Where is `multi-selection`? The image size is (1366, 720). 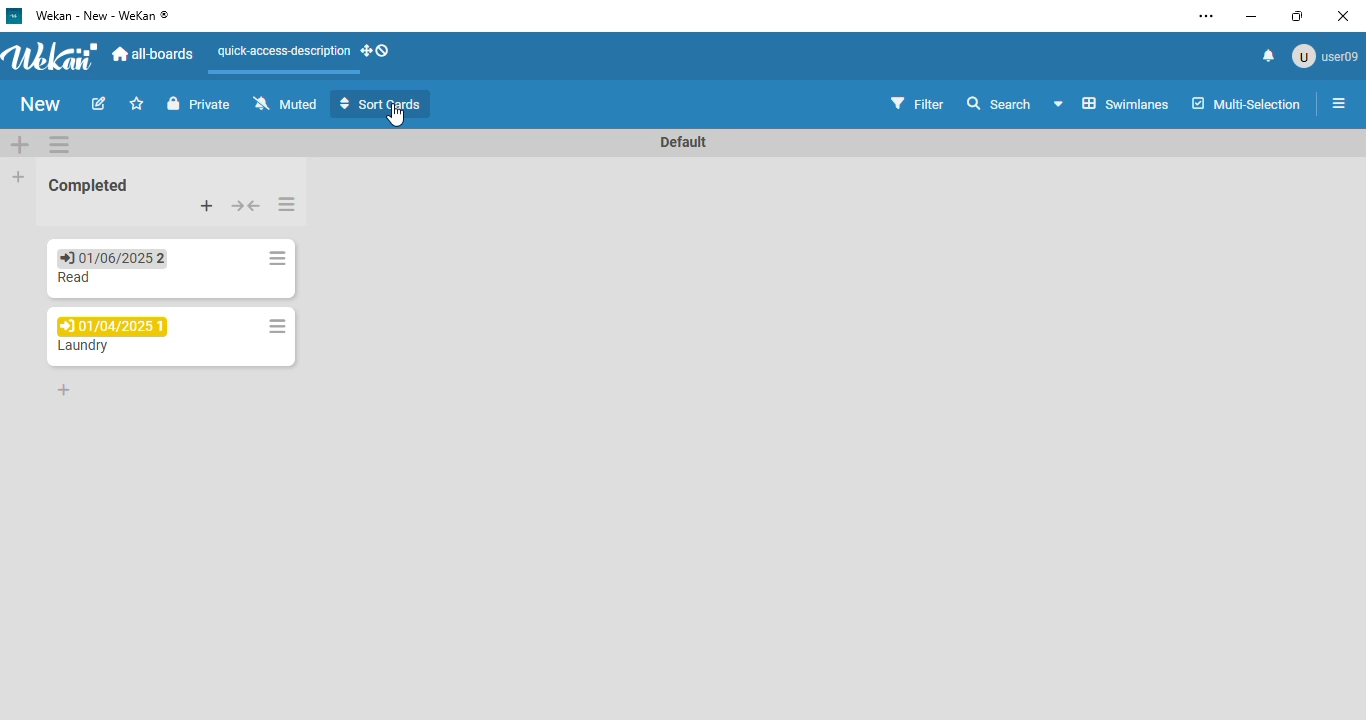
multi-selection is located at coordinates (1246, 103).